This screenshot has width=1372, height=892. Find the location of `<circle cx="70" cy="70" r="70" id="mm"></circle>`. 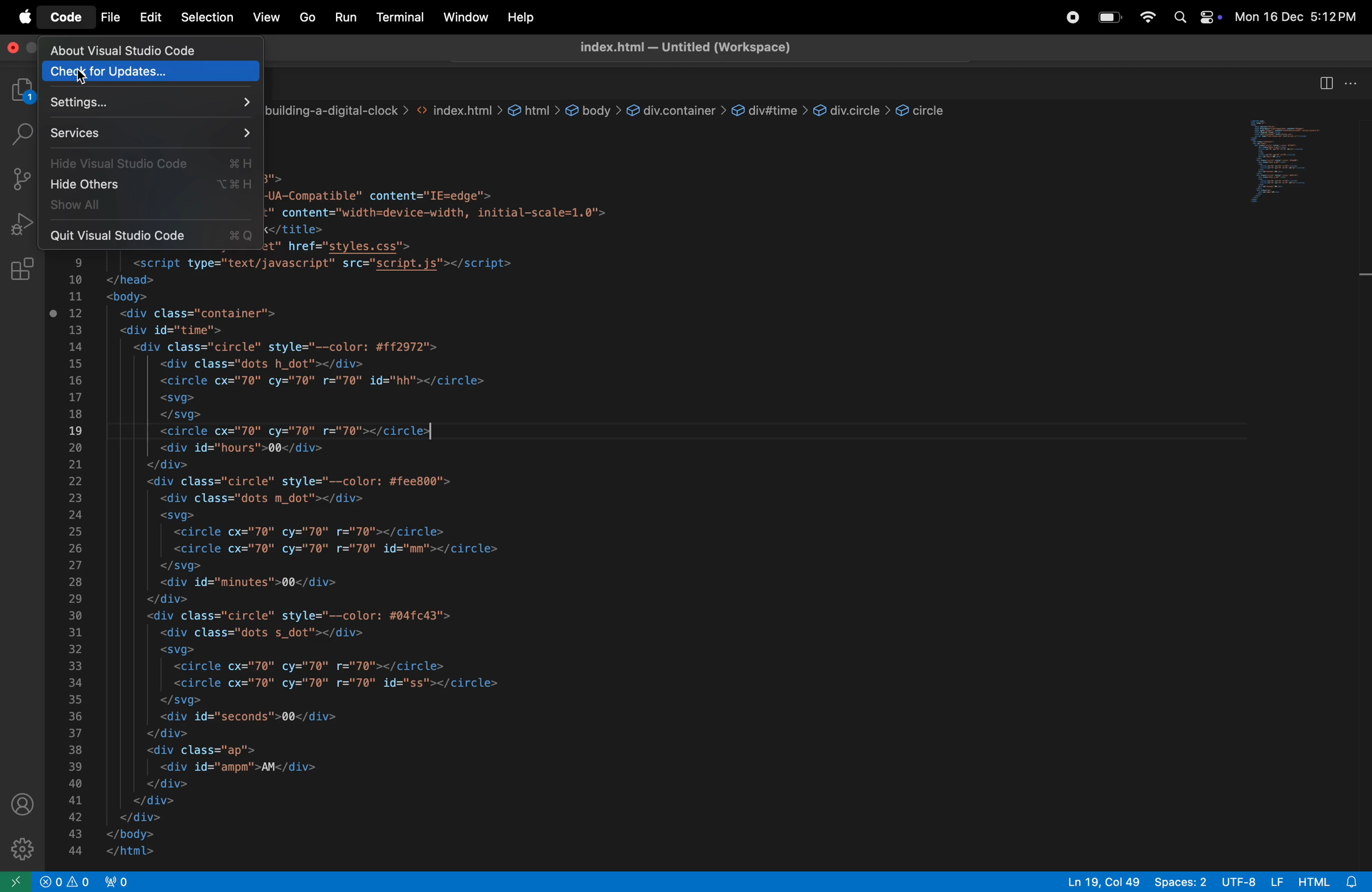

<circle cx="70" cy="70" r="70" id="mm"></circle> is located at coordinates (342, 550).